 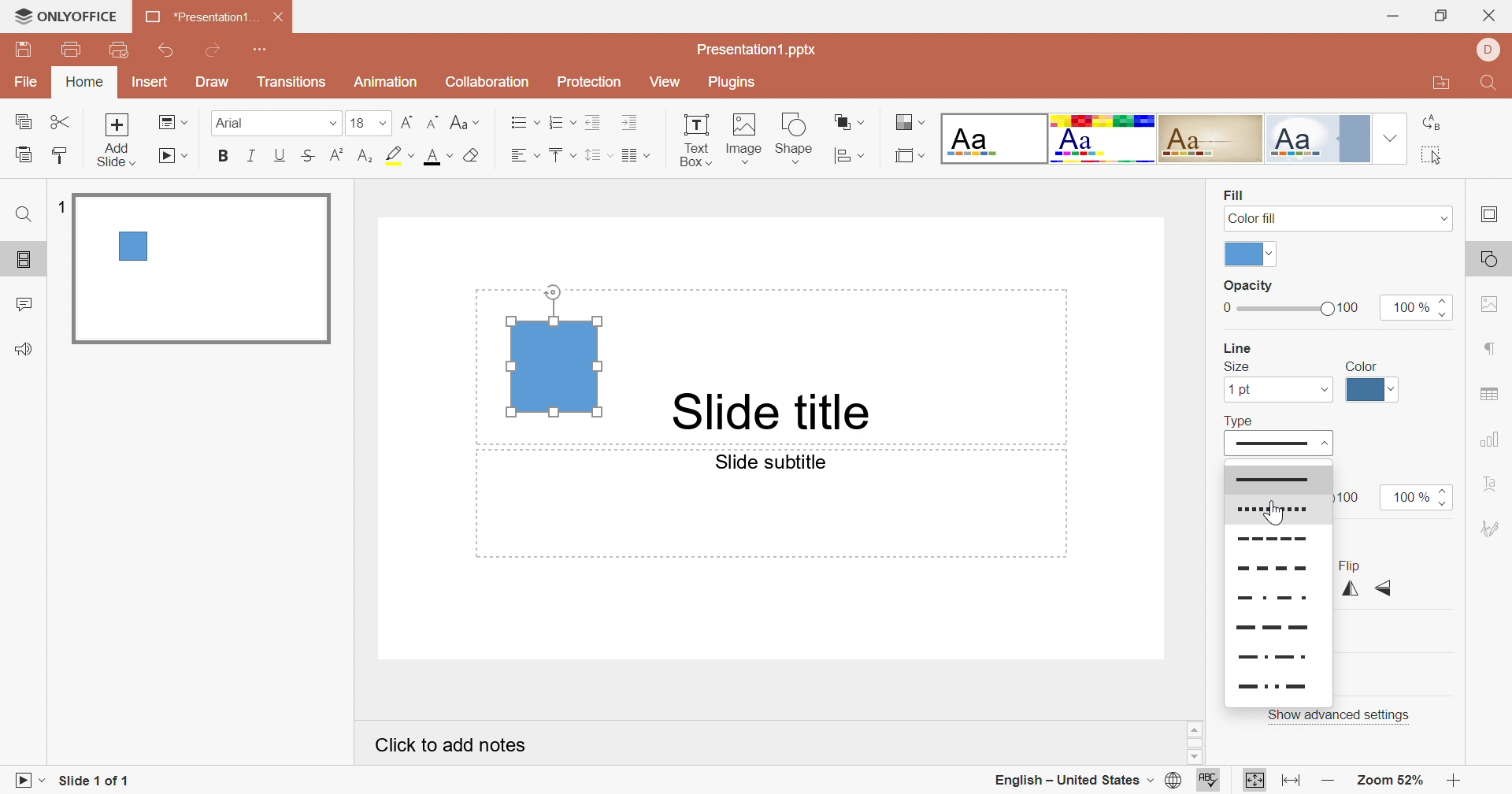 What do you see at coordinates (60, 204) in the screenshot?
I see `1` at bounding box center [60, 204].